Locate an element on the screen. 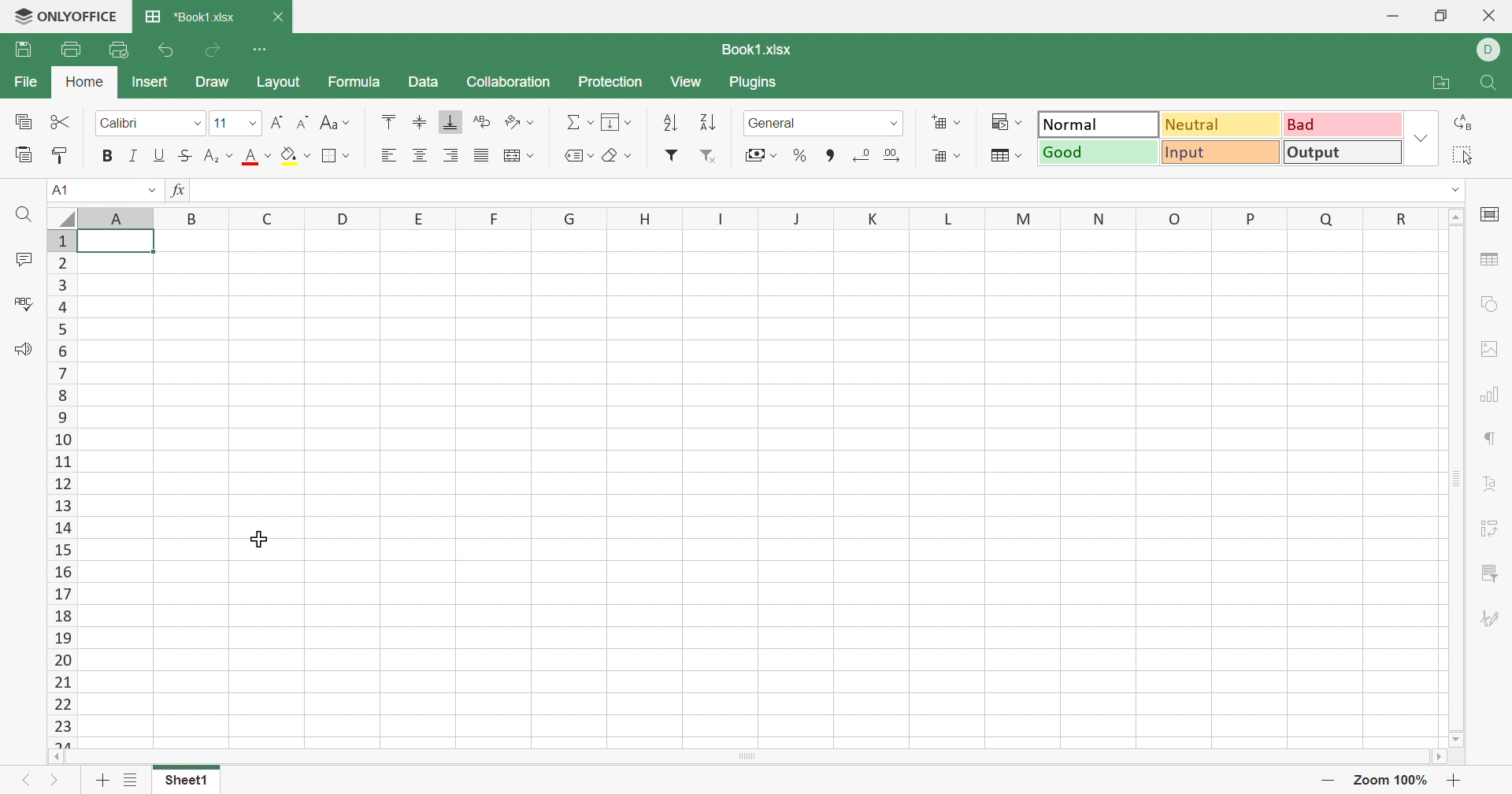 The image size is (1512, 794). - is located at coordinates (1331, 781).